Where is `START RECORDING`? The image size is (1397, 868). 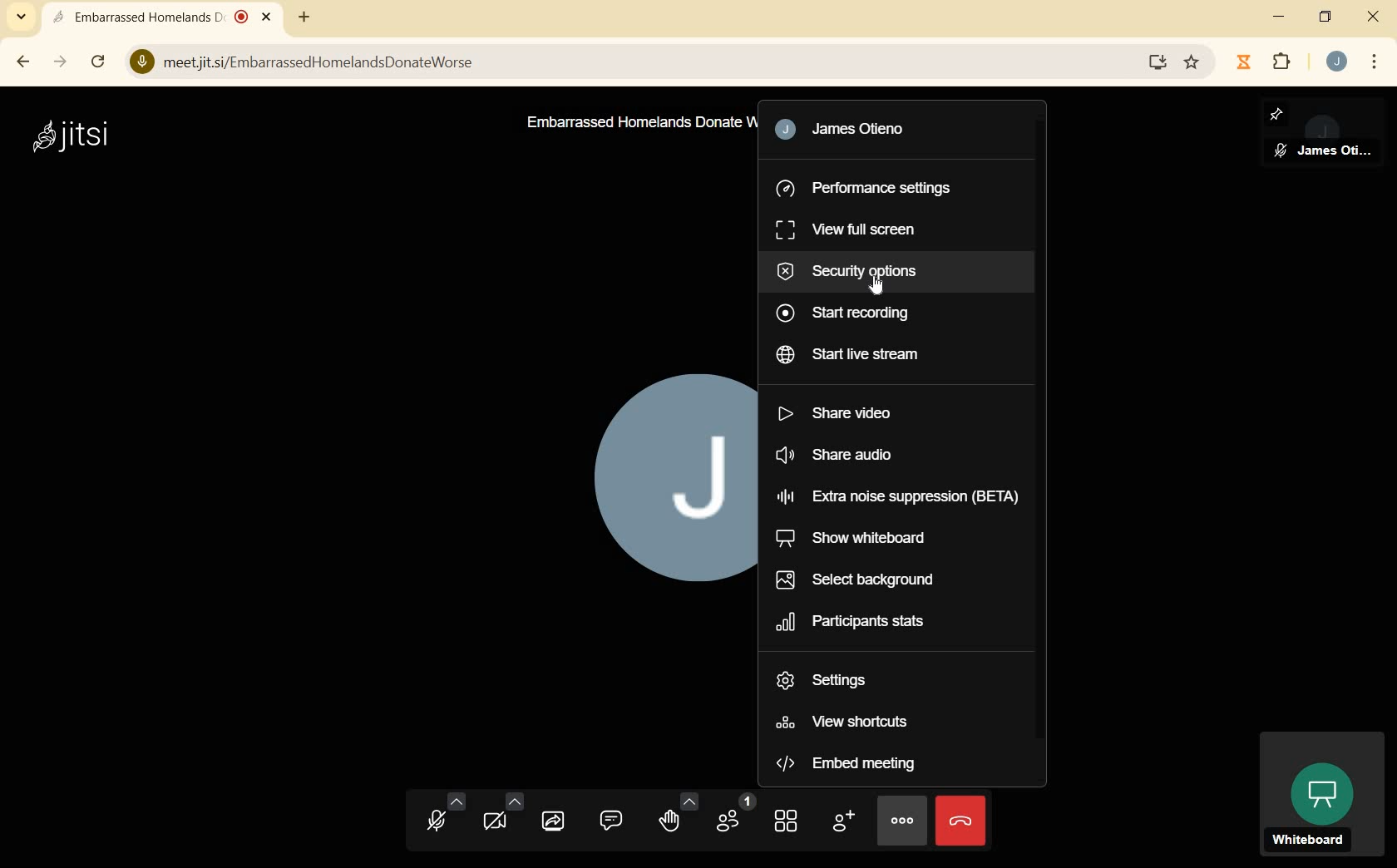
START RECORDING is located at coordinates (861, 313).